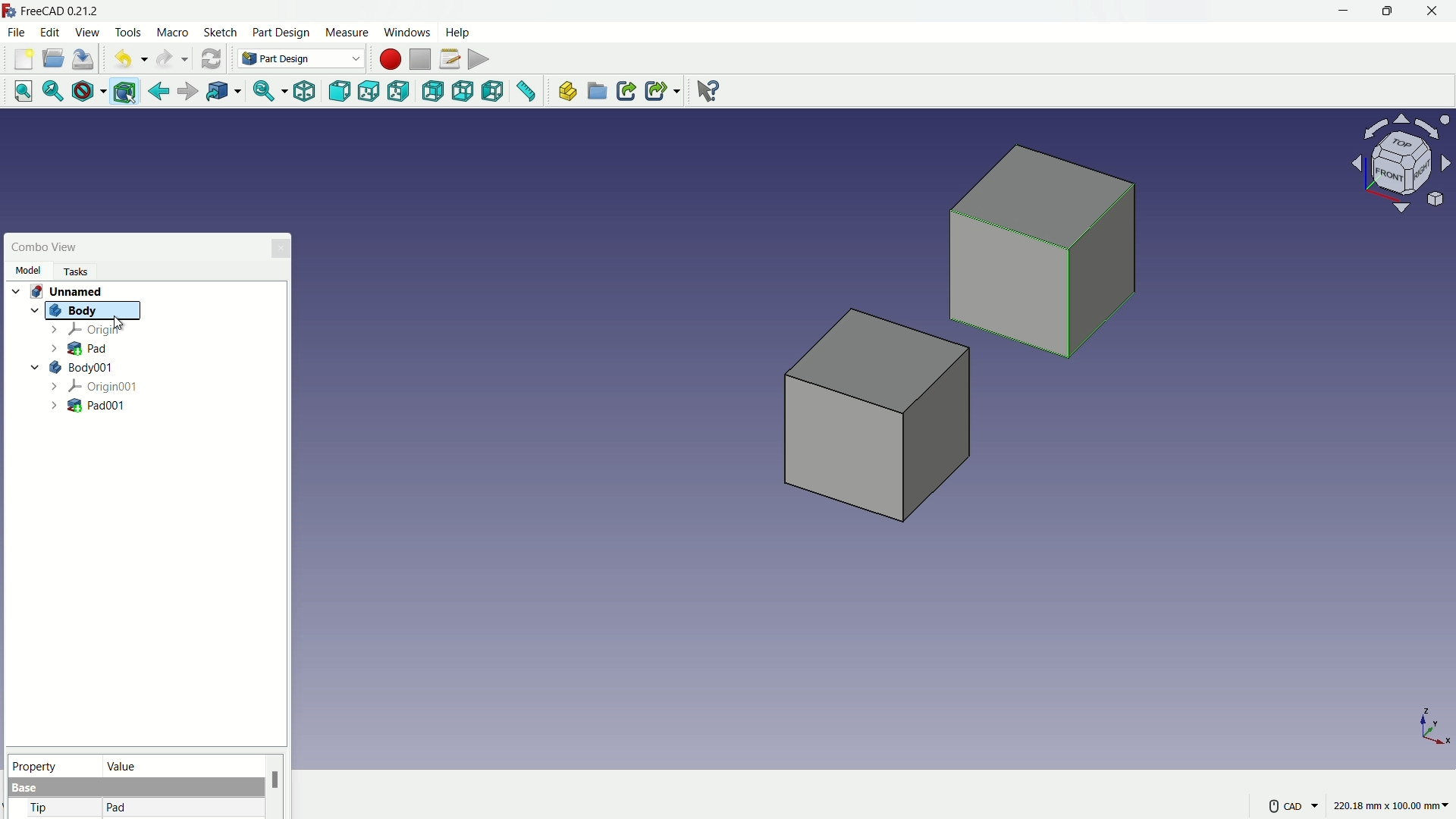 This screenshot has width=1456, height=819. What do you see at coordinates (598, 93) in the screenshot?
I see `create group` at bounding box center [598, 93].